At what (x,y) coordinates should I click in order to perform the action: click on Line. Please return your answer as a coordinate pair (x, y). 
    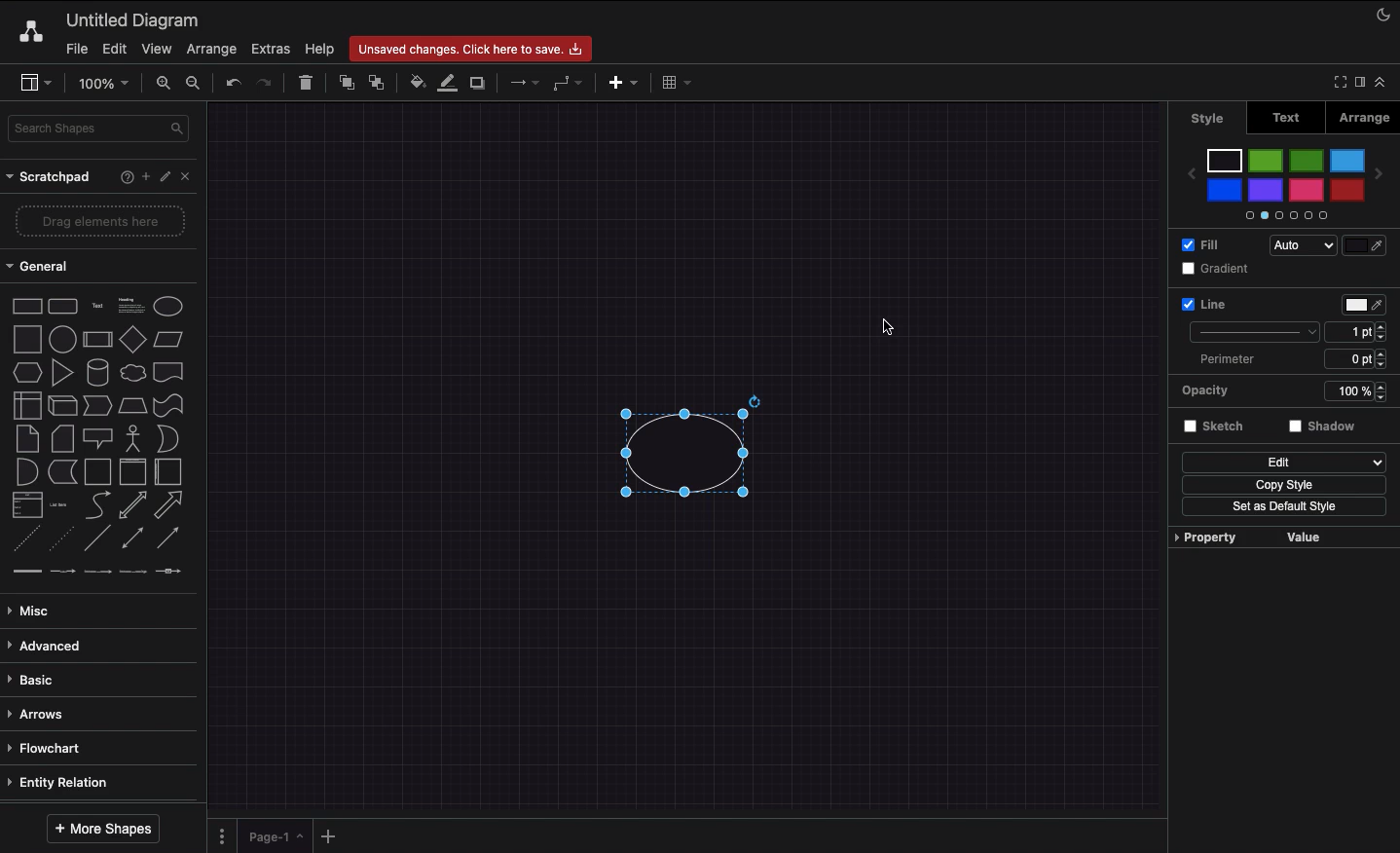
    Looking at the image, I should click on (97, 539).